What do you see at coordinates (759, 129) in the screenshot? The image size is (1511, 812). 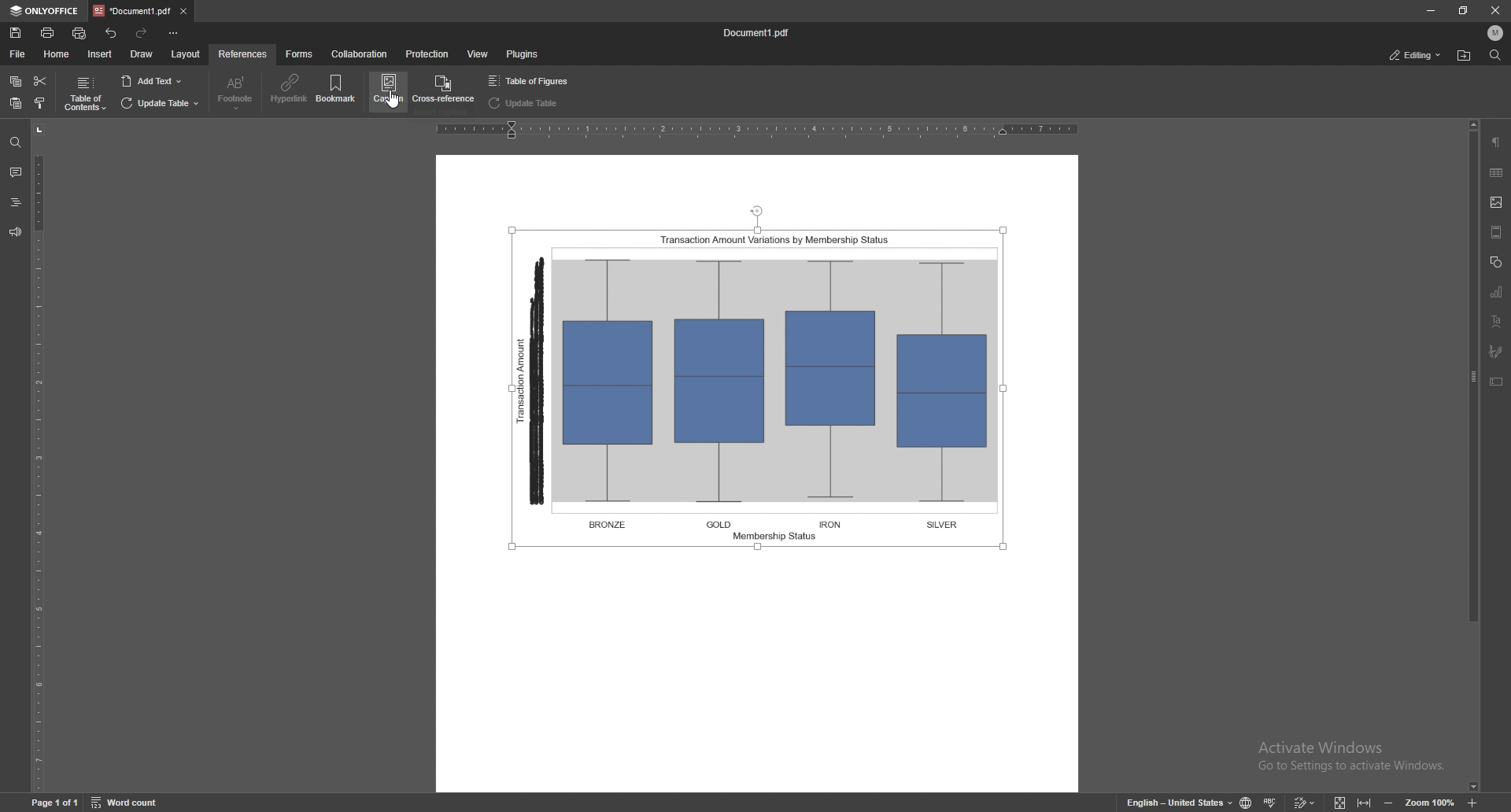 I see `horizontal scale` at bounding box center [759, 129].